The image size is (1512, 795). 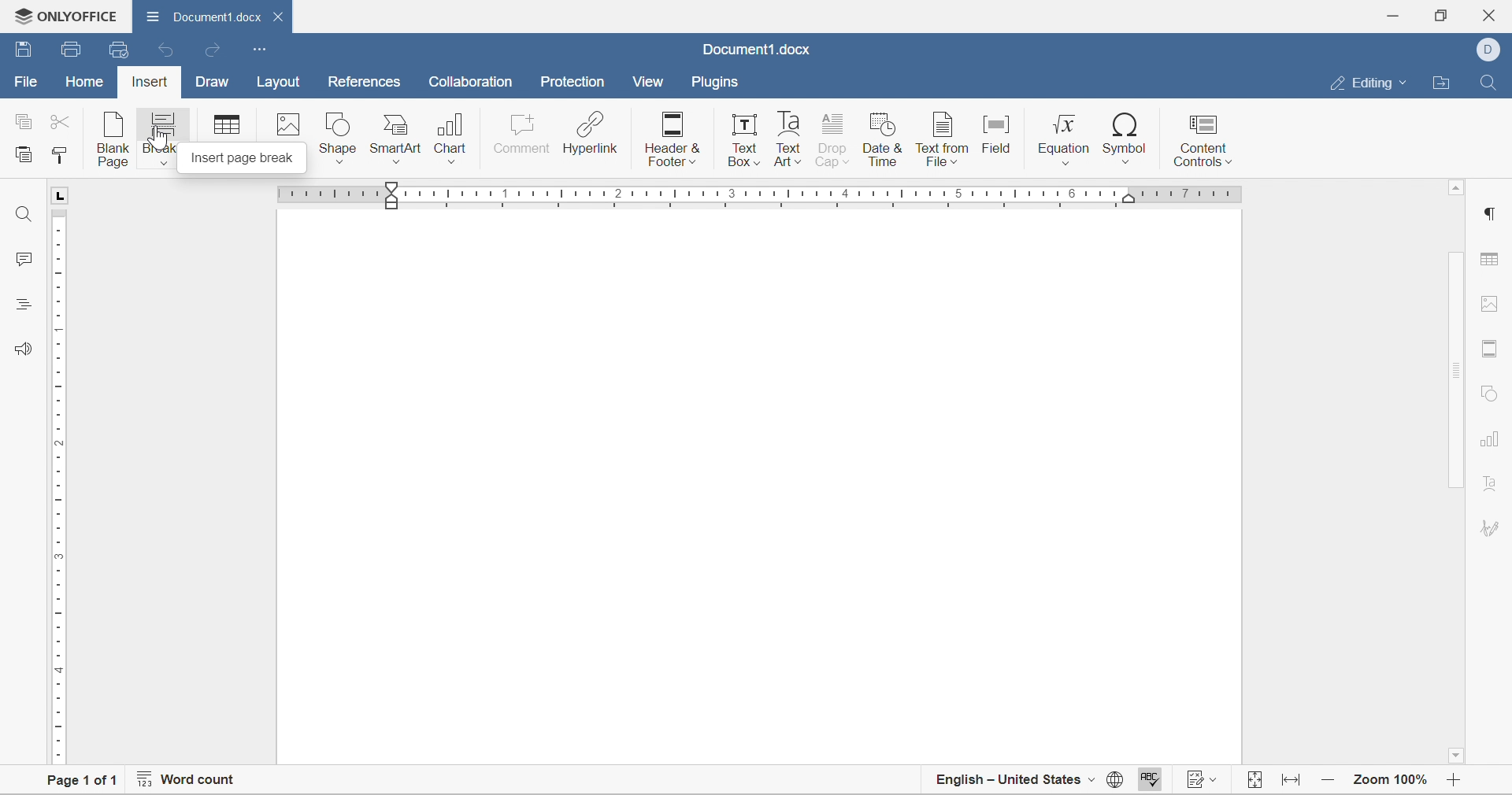 What do you see at coordinates (1494, 13) in the screenshot?
I see `Close` at bounding box center [1494, 13].